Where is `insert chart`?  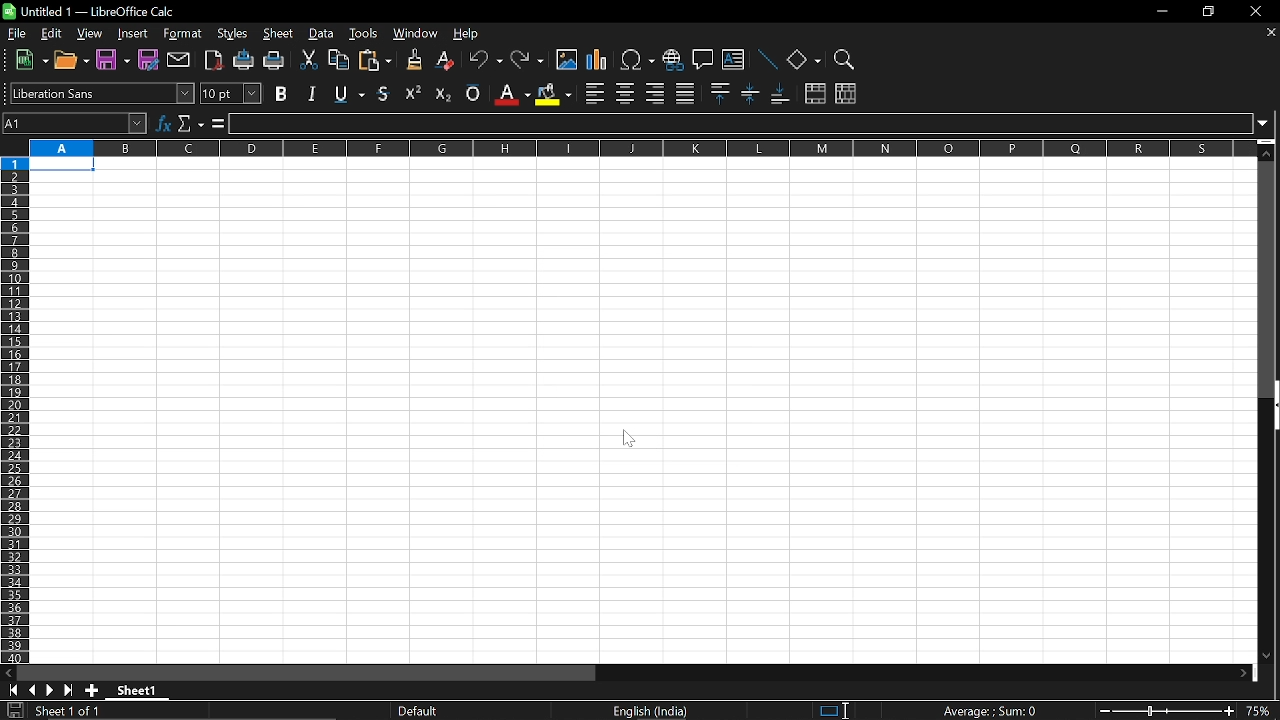
insert chart is located at coordinates (597, 61).